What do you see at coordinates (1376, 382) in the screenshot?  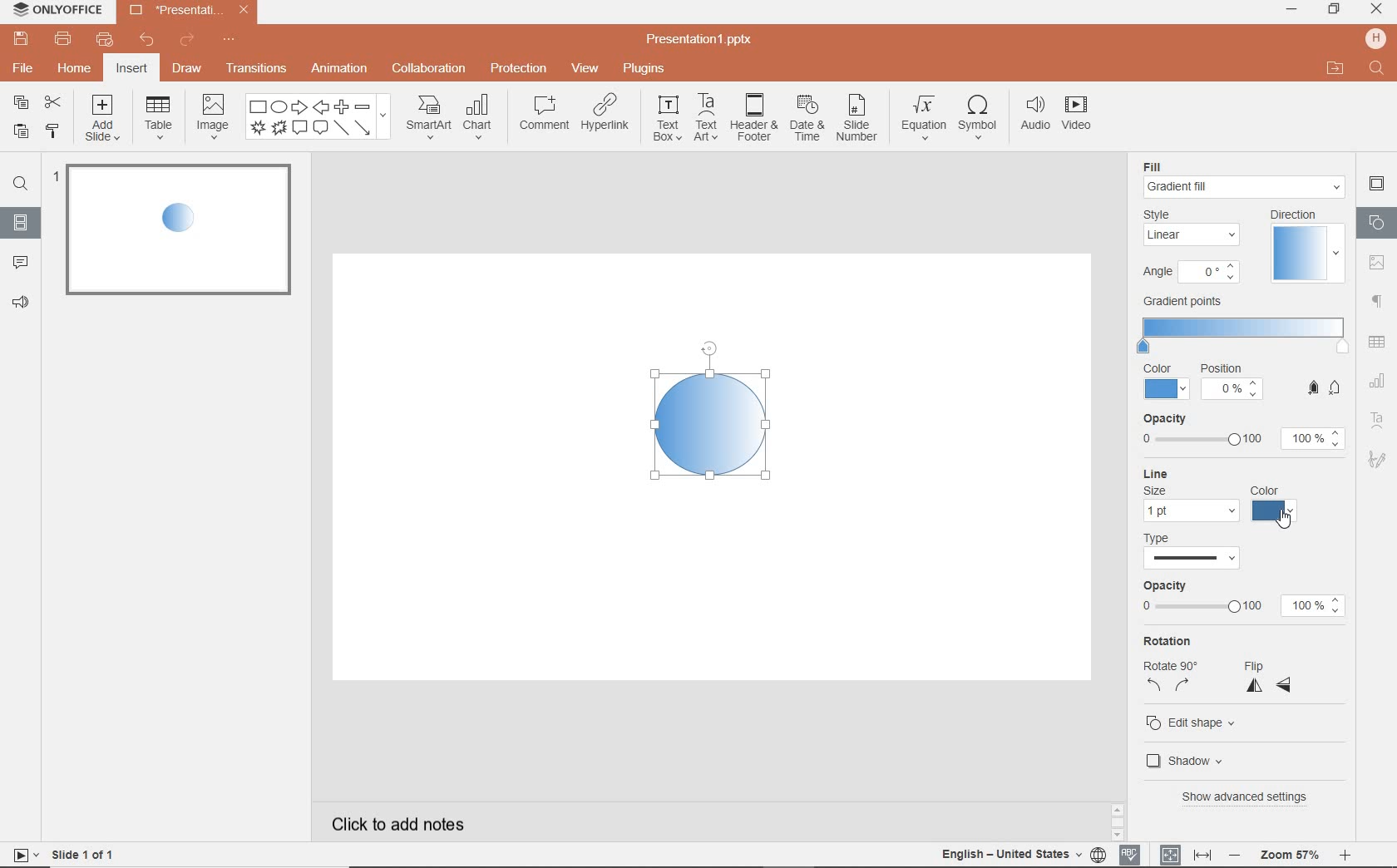 I see `chart` at bounding box center [1376, 382].